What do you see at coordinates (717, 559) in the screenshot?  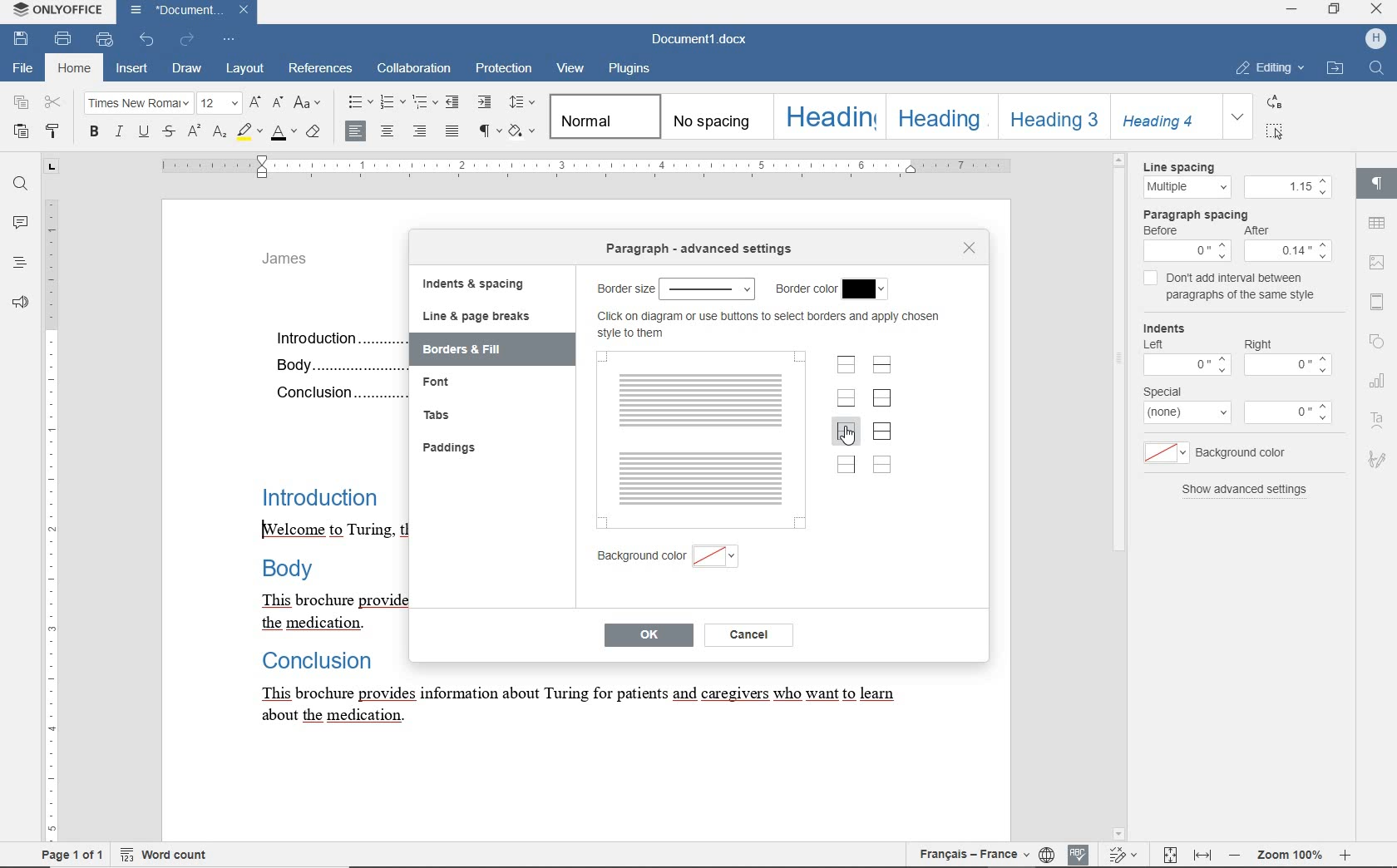 I see `background color options` at bounding box center [717, 559].